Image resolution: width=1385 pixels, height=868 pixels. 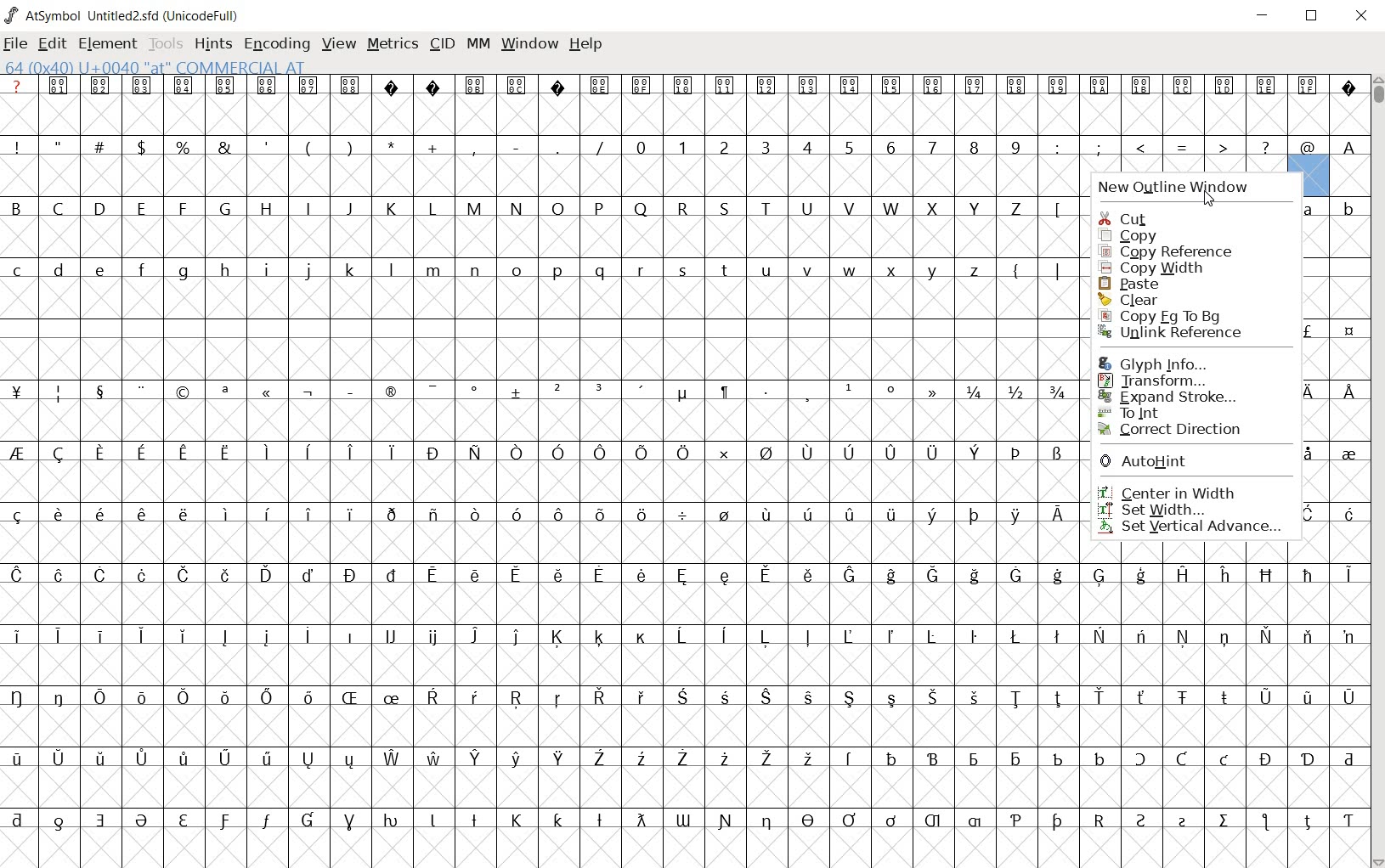 I want to click on HELP, so click(x=586, y=45).